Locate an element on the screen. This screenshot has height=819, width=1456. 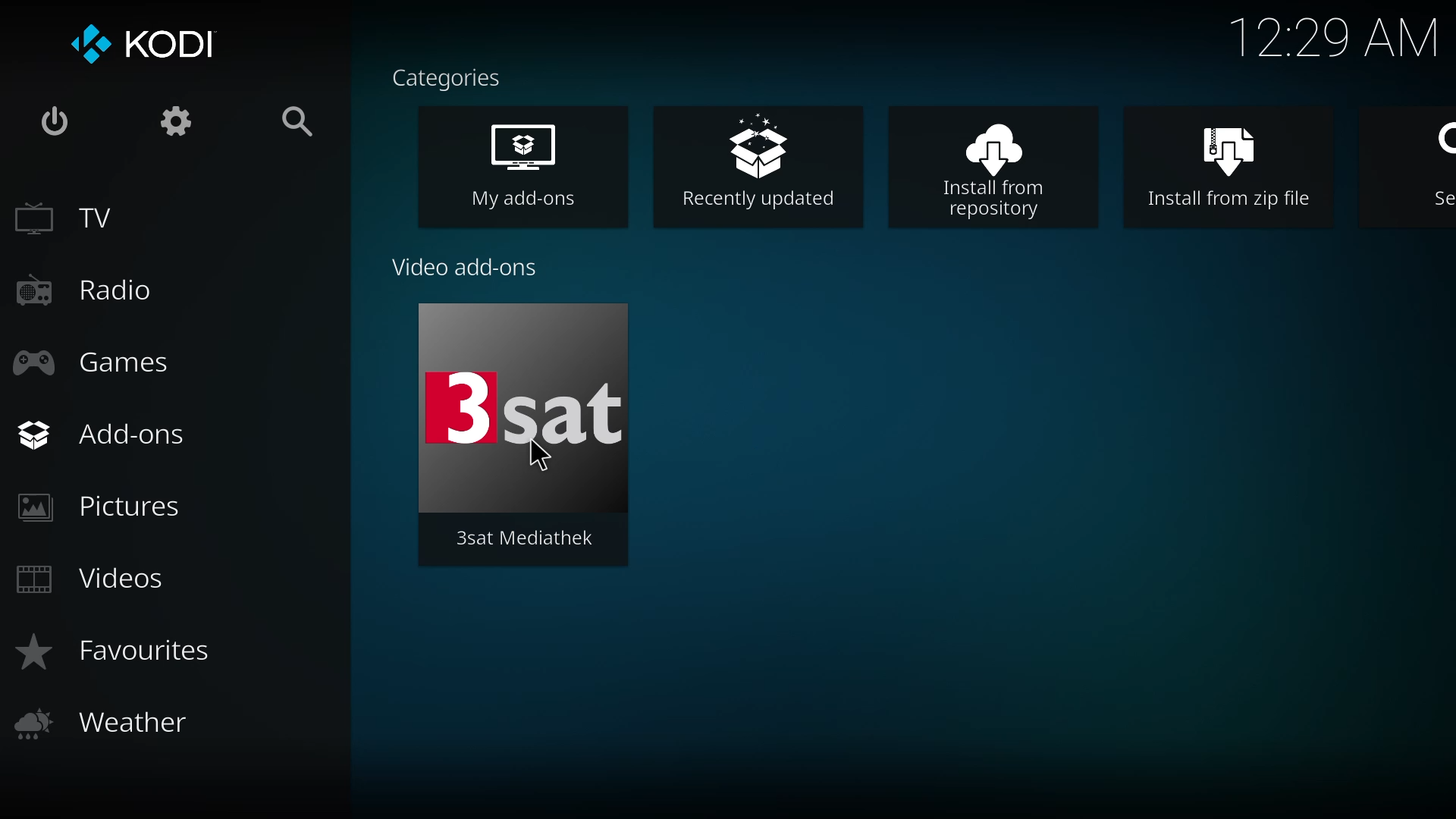
my add ons is located at coordinates (522, 165).